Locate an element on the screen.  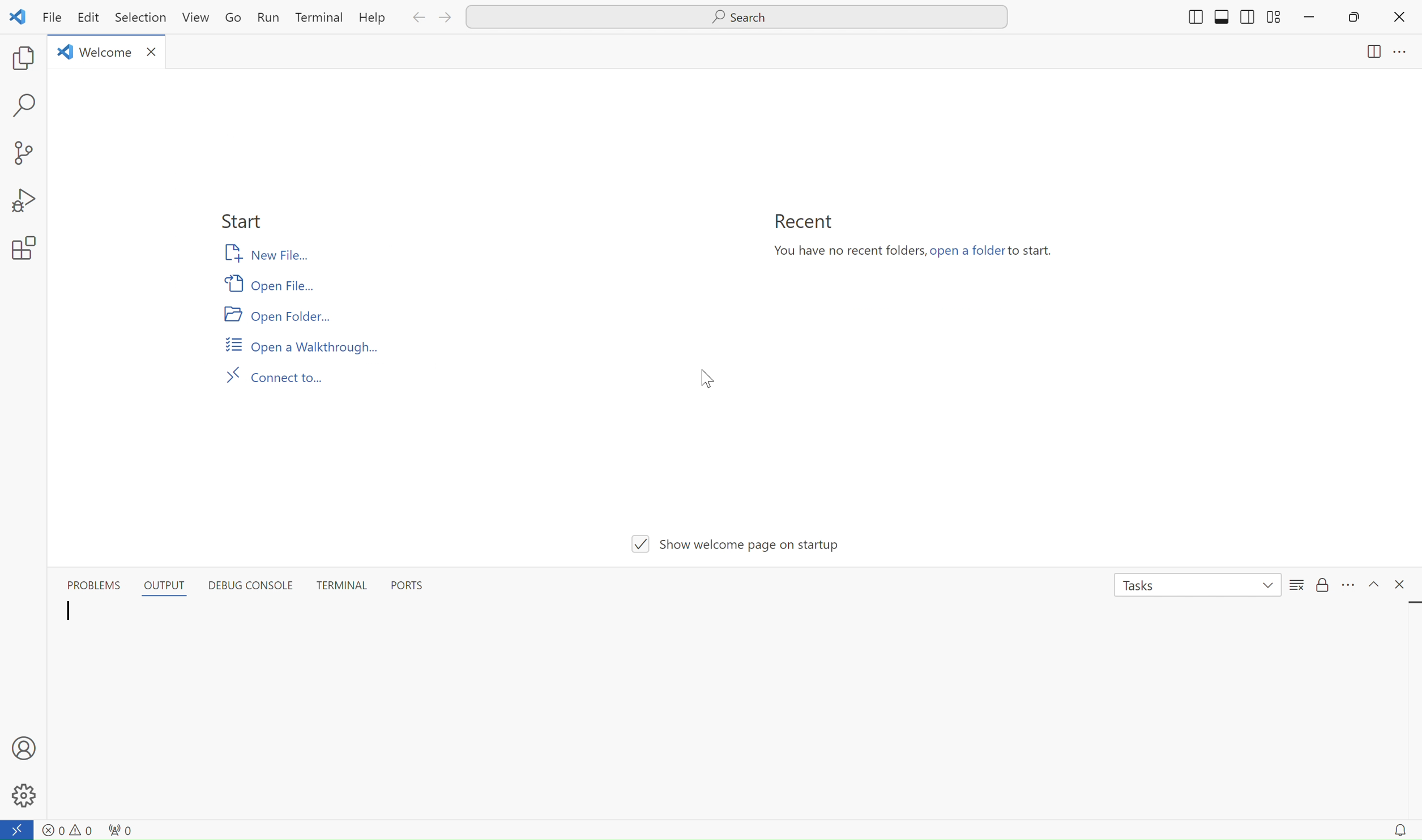
Run is located at coordinates (269, 17).